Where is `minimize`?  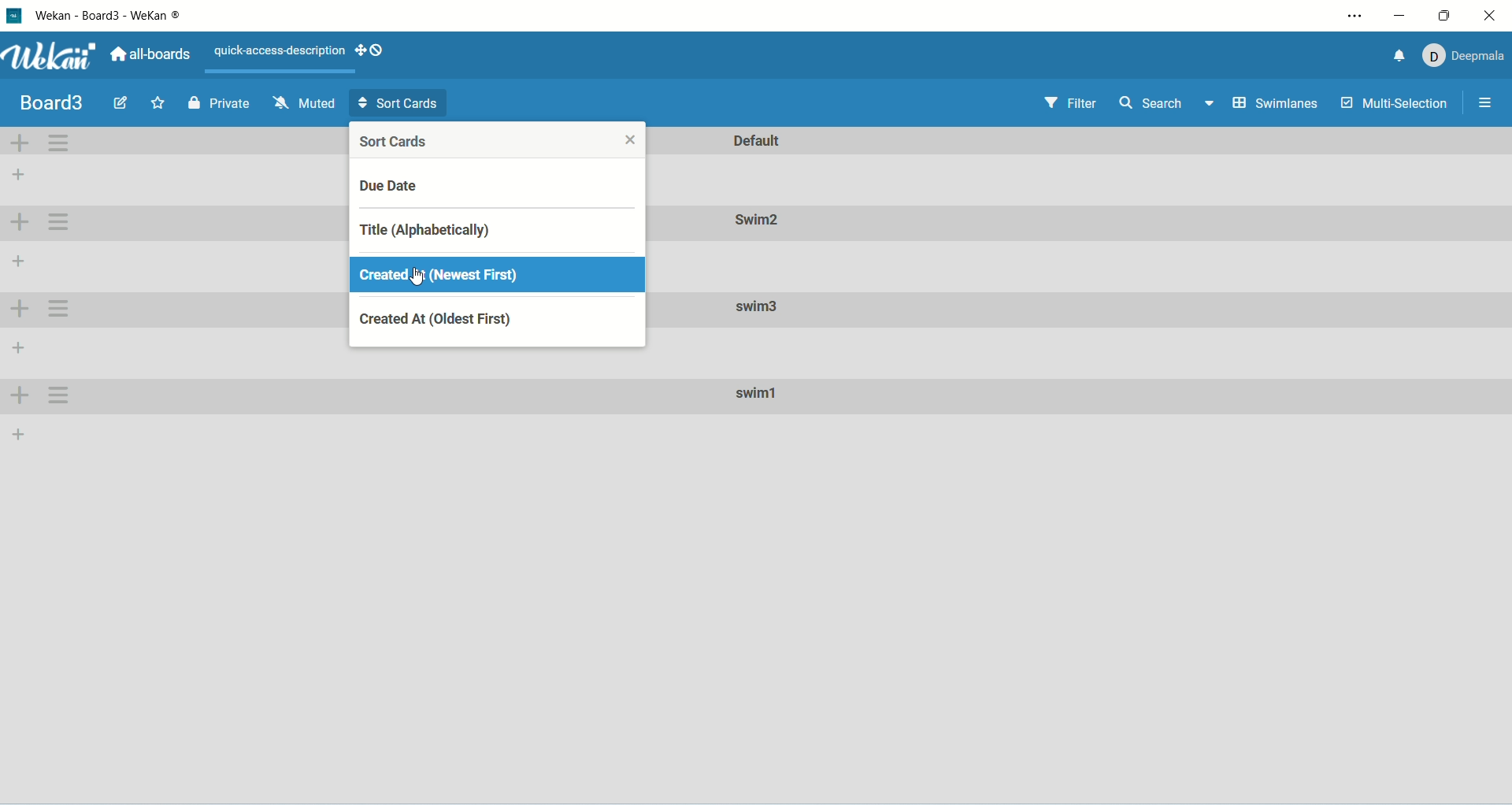 minimize is located at coordinates (1405, 15).